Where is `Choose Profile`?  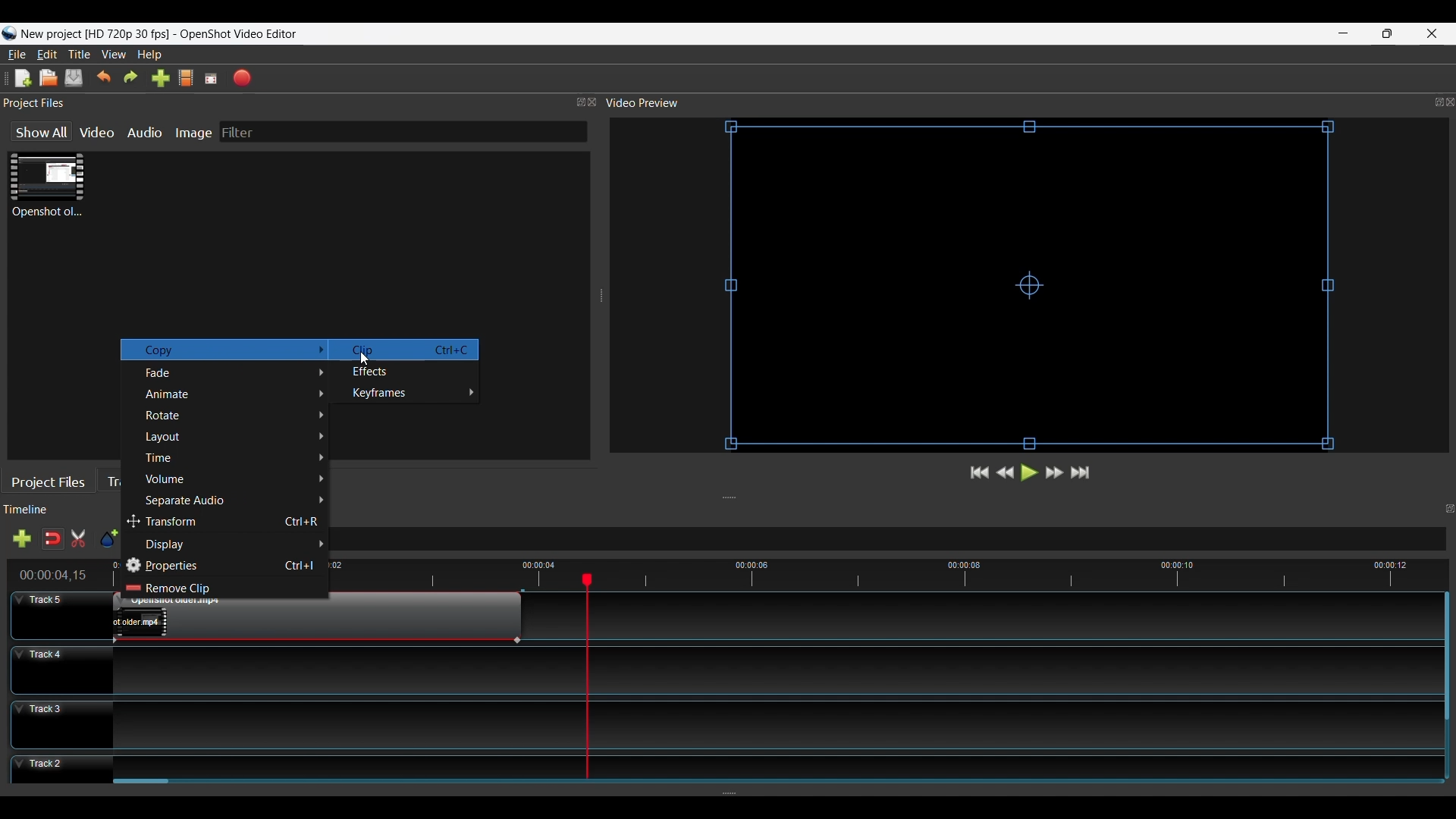 Choose Profile is located at coordinates (185, 79).